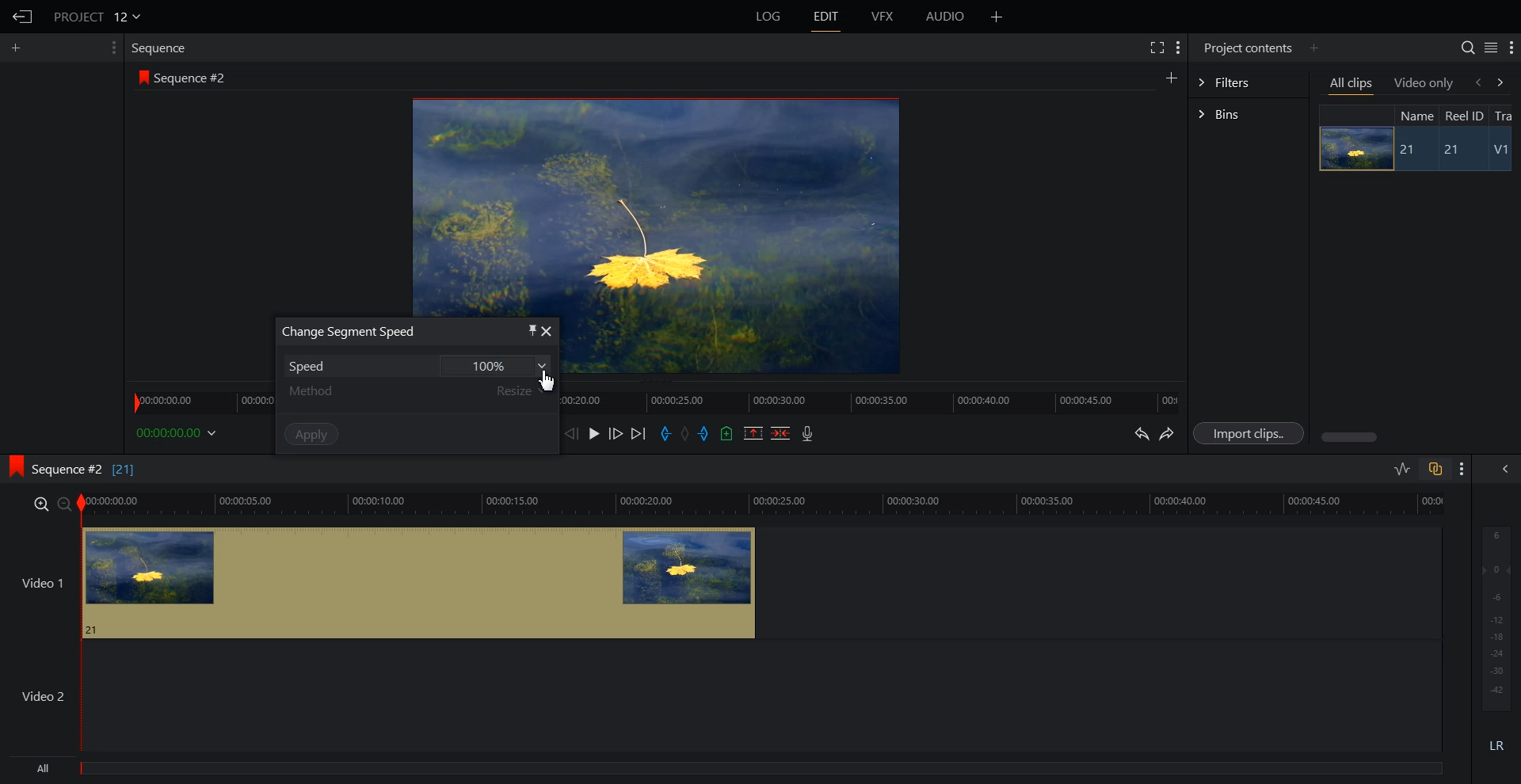 This screenshot has width=1521, height=784. Describe the element at coordinates (1248, 116) in the screenshot. I see `Bins` at that location.